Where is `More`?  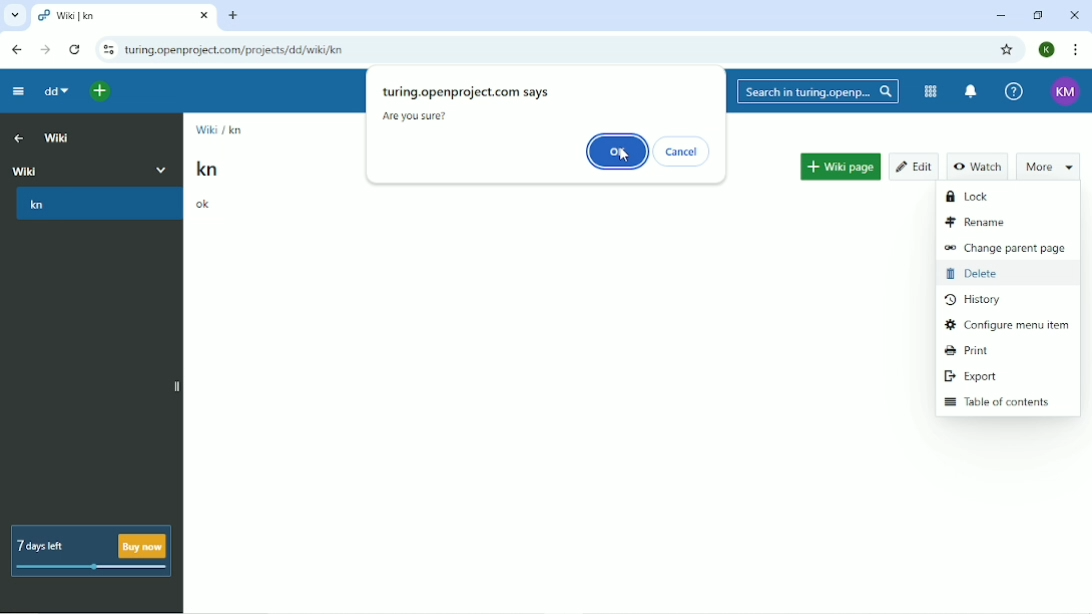
More is located at coordinates (1044, 165).